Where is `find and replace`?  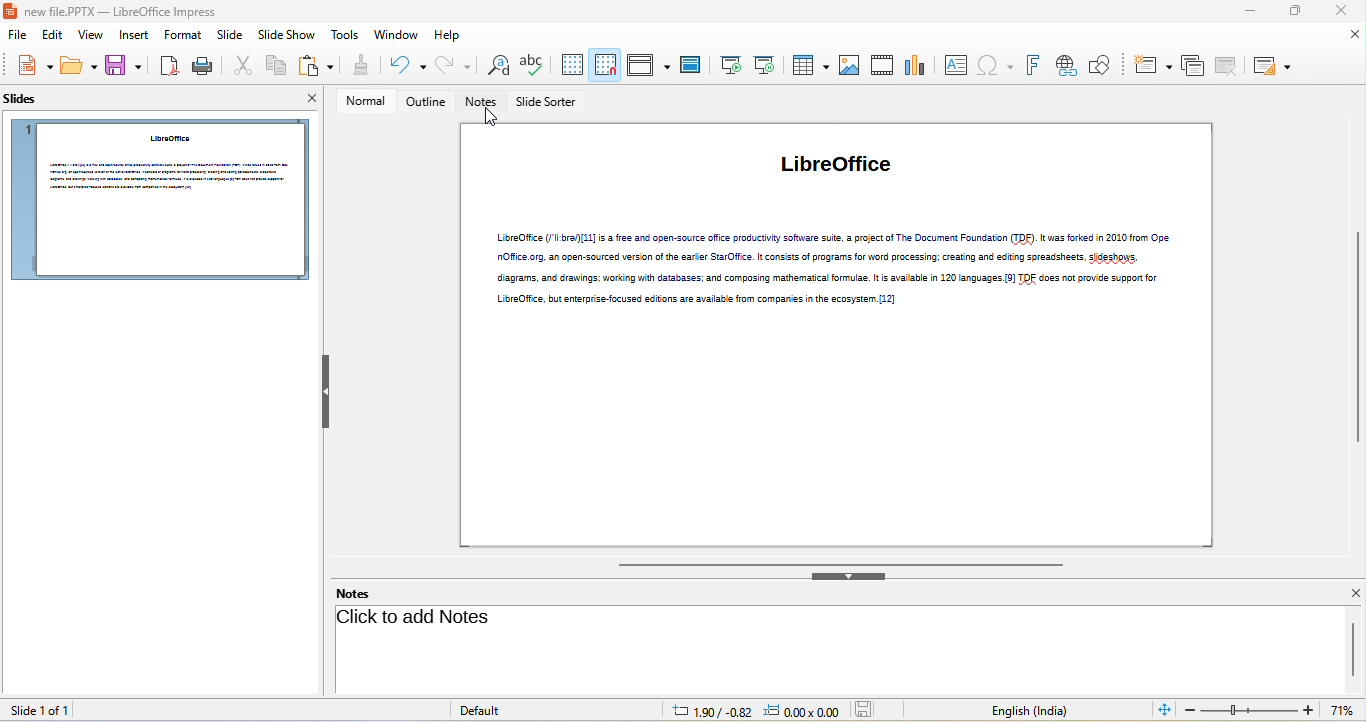 find and replace is located at coordinates (494, 67).